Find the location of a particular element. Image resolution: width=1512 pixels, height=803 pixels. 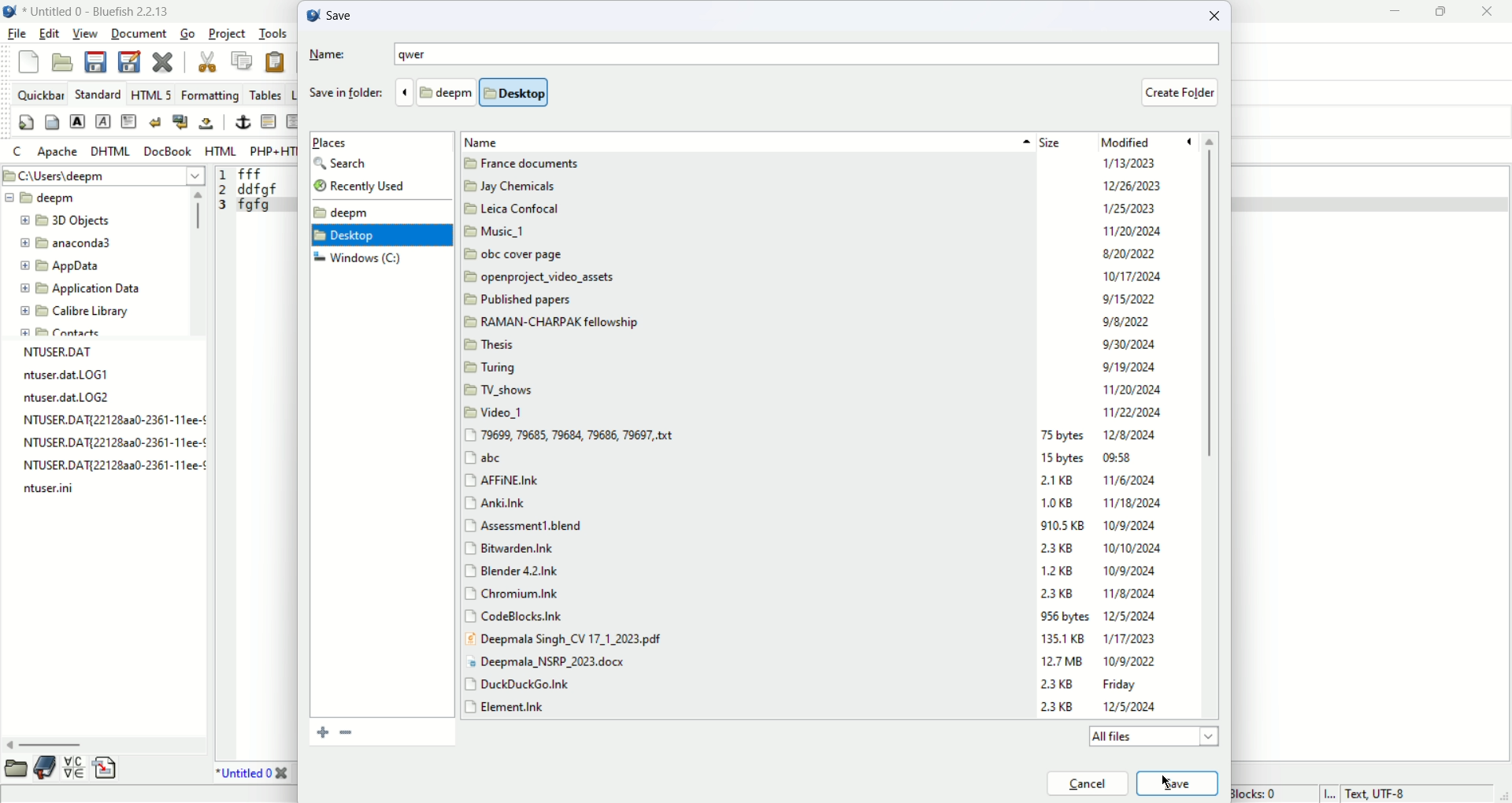

vertical scroll bar is located at coordinates (1214, 427).